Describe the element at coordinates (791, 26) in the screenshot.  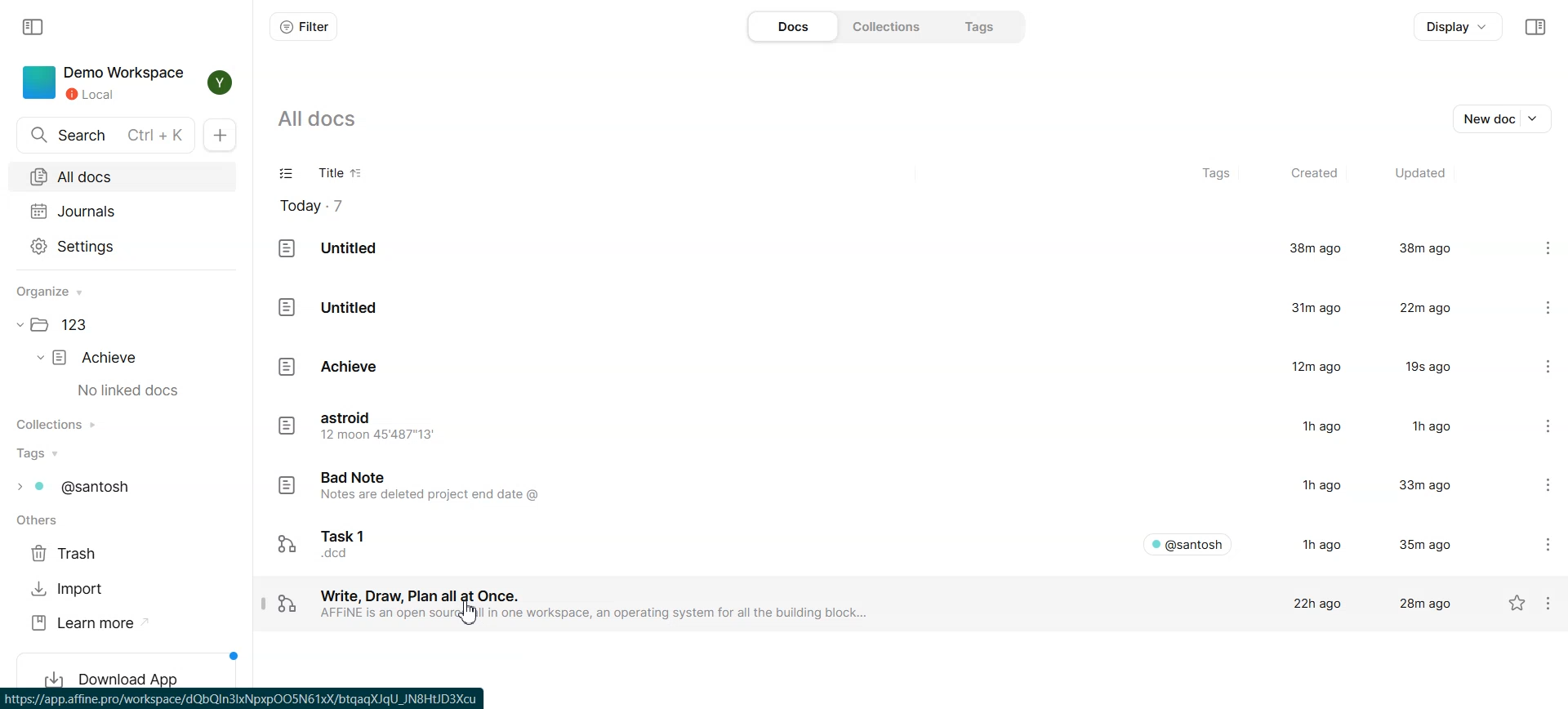
I see `Docs` at that location.